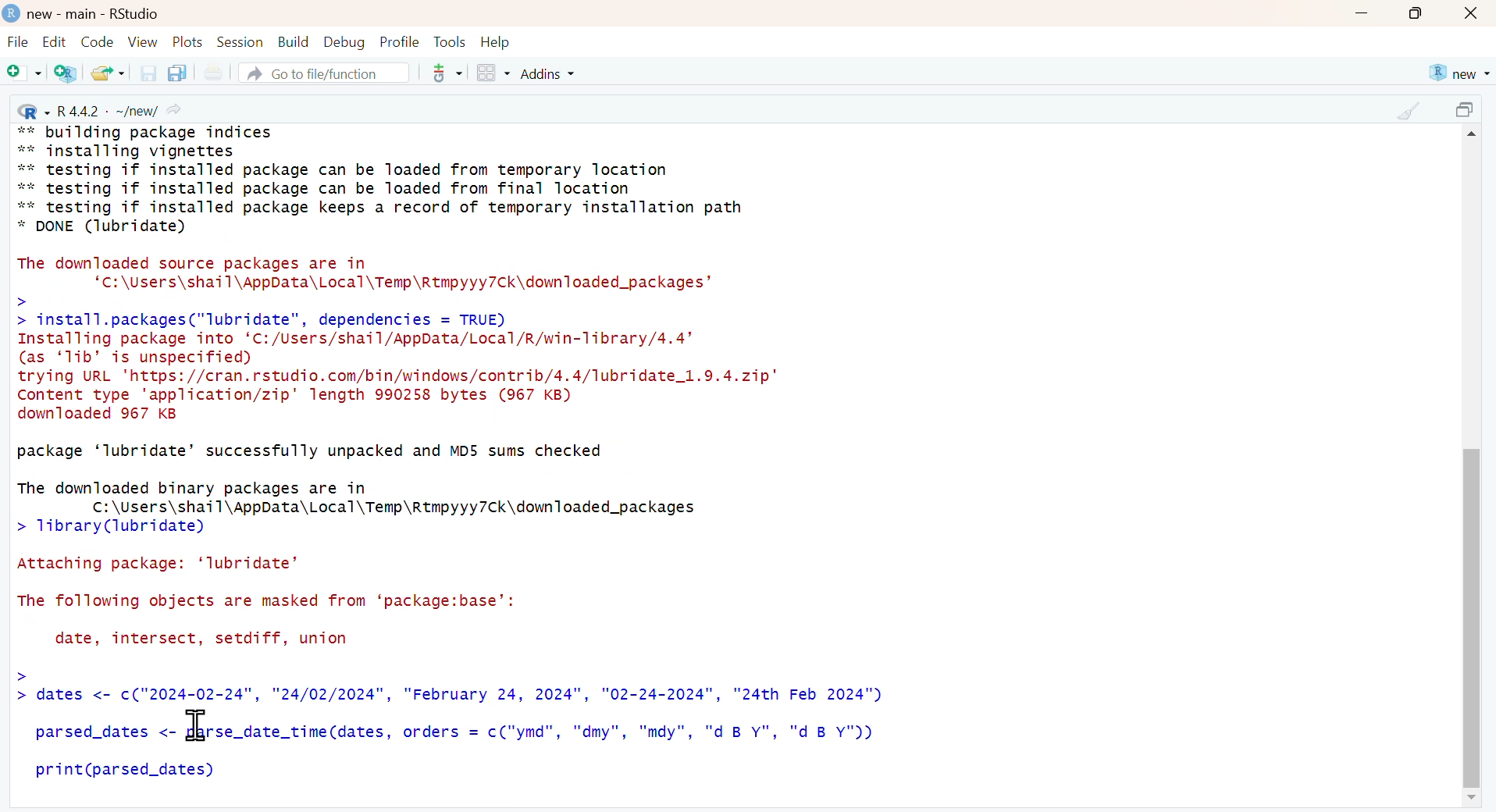 This screenshot has height=812, width=1496. What do you see at coordinates (493, 74) in the screenshot?
I see `Workspace panes` at bounding box center [493, 74].